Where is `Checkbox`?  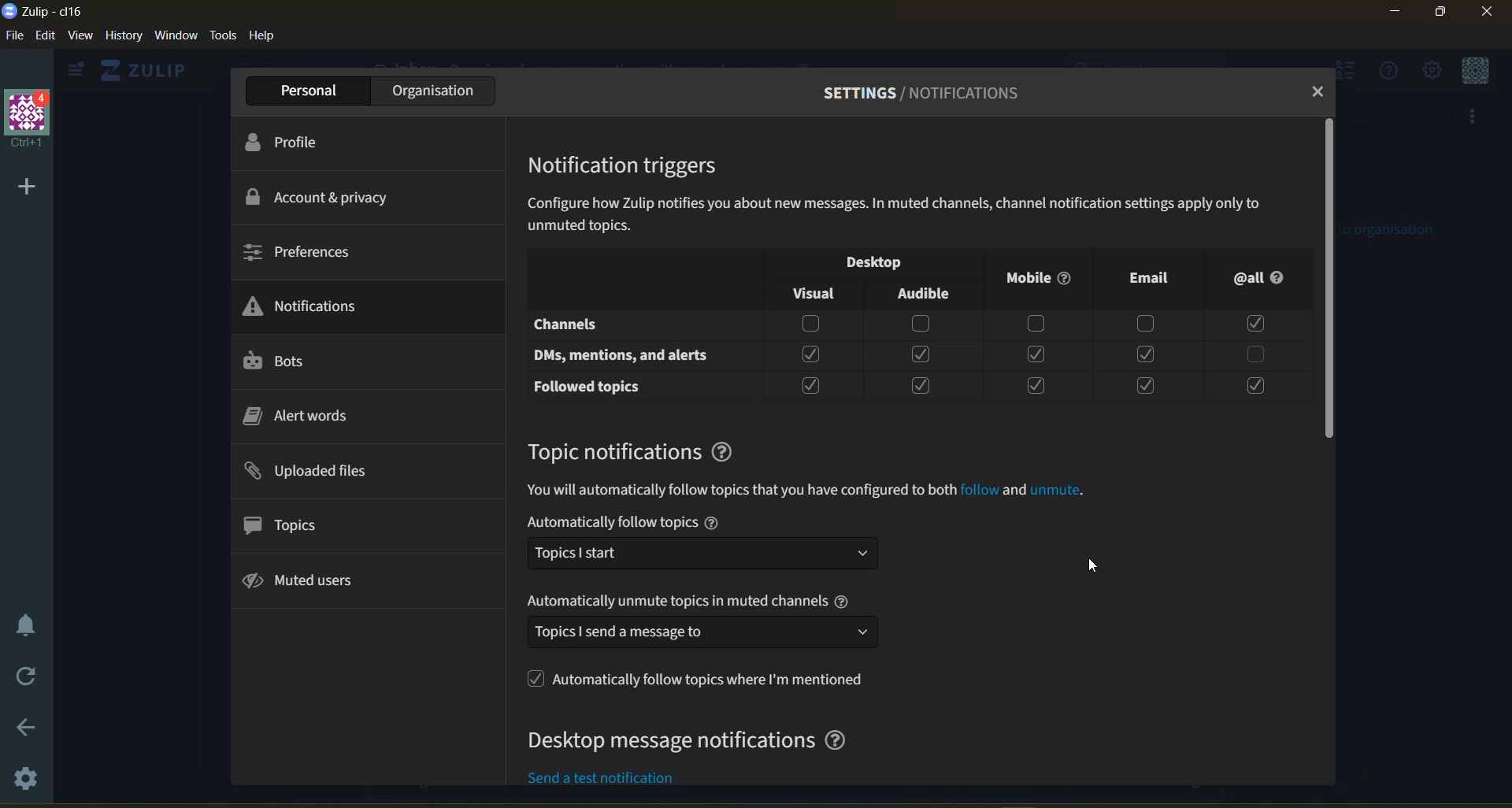 Checkbox is located at coordinates (1254, 324).